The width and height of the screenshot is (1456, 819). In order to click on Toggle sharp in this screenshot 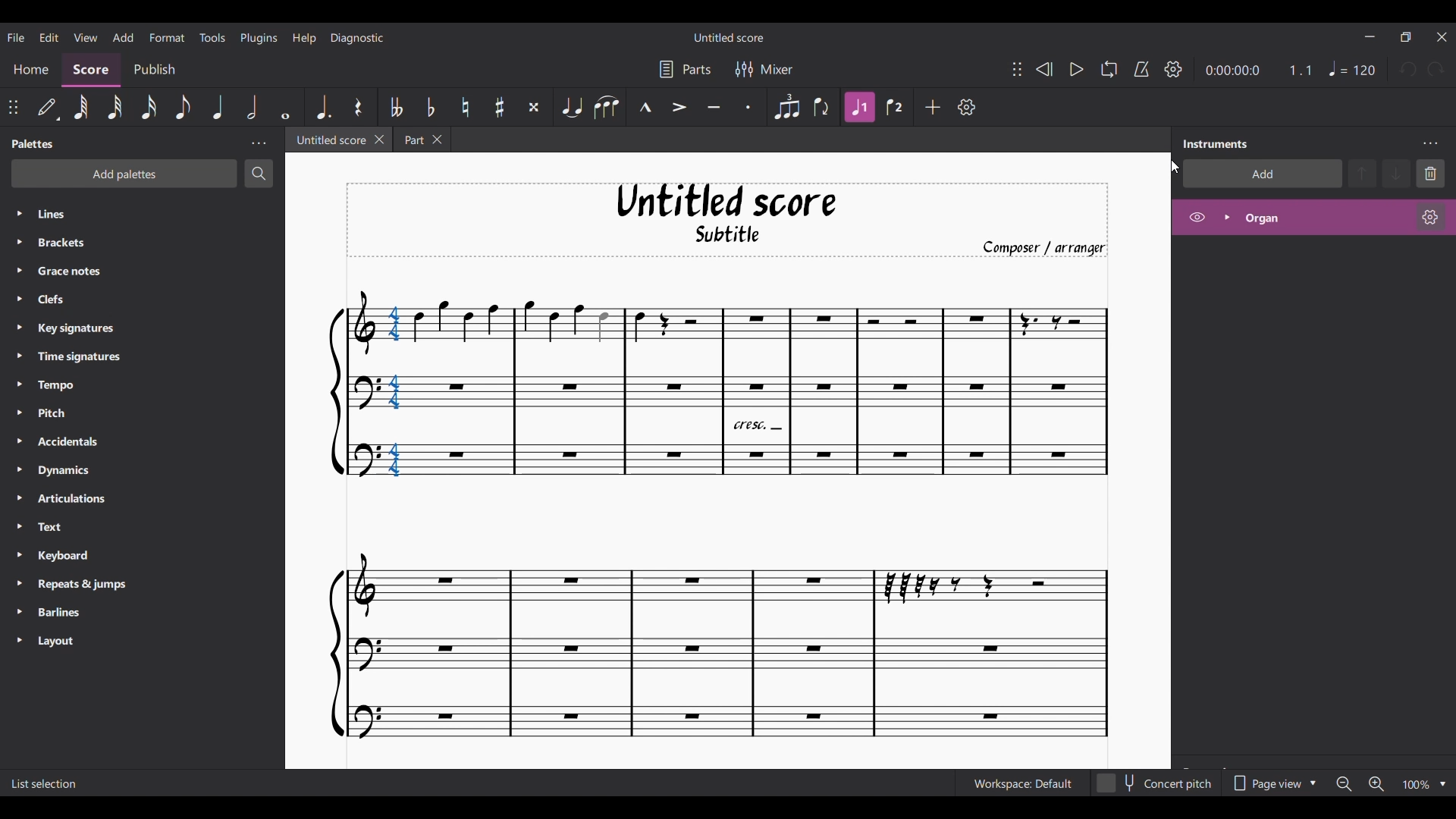, I will do `click(500, 107)`.